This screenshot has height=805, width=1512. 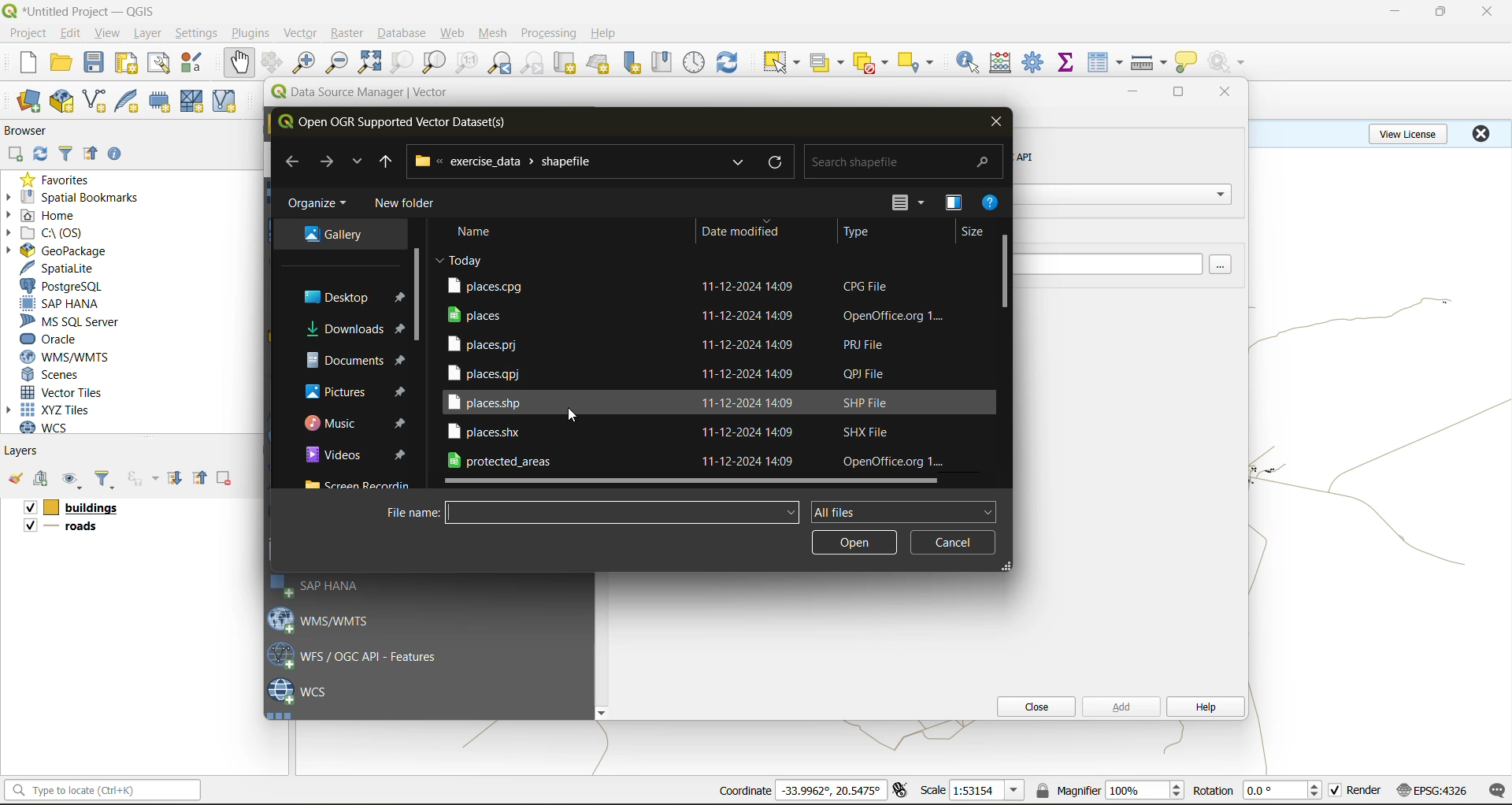 What do you see at coordinates (973, 233) in the screenshot?
I see `size` at bounding box center [973, 233].